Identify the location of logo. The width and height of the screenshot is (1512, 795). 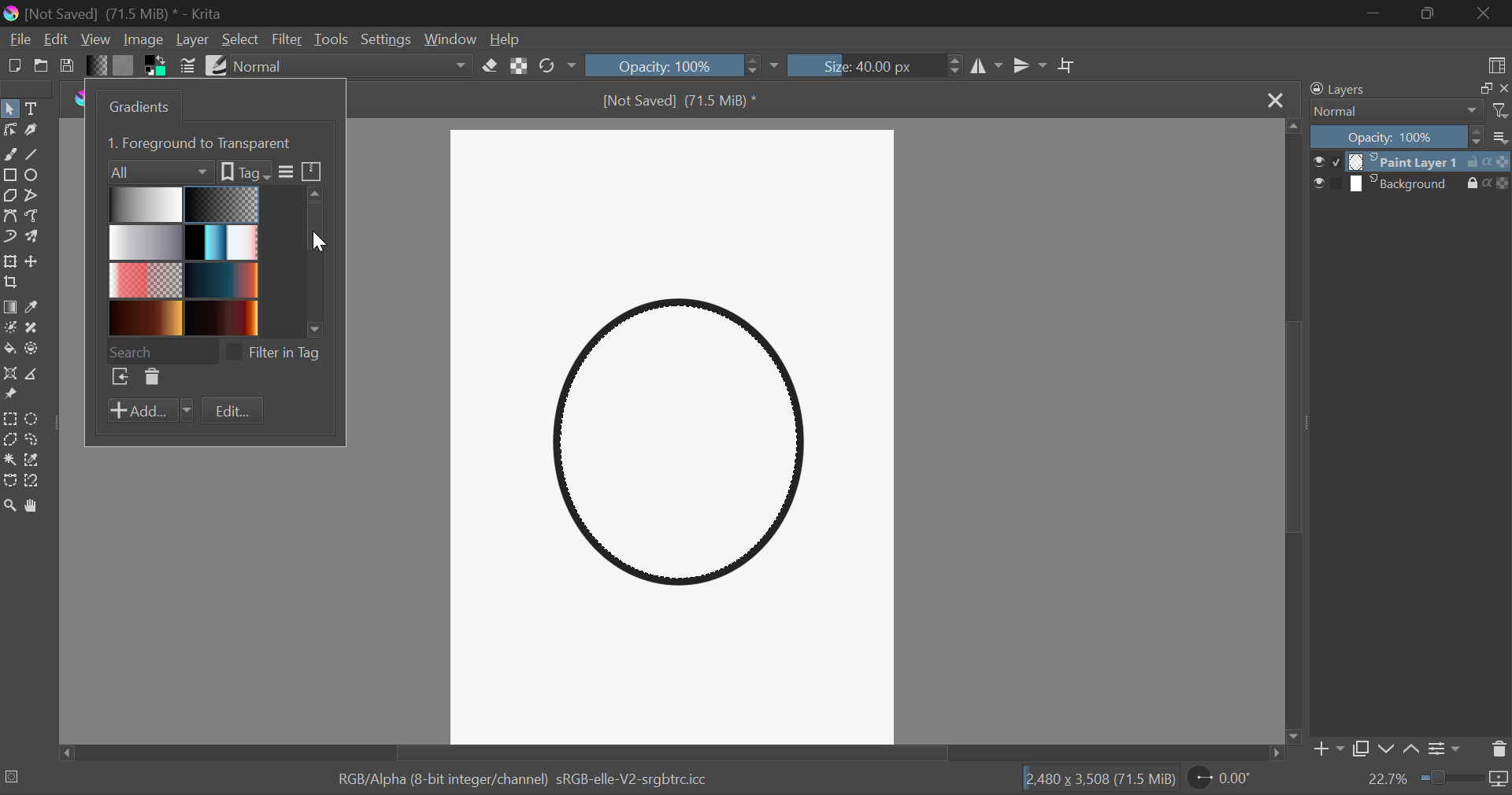
(14, 15).